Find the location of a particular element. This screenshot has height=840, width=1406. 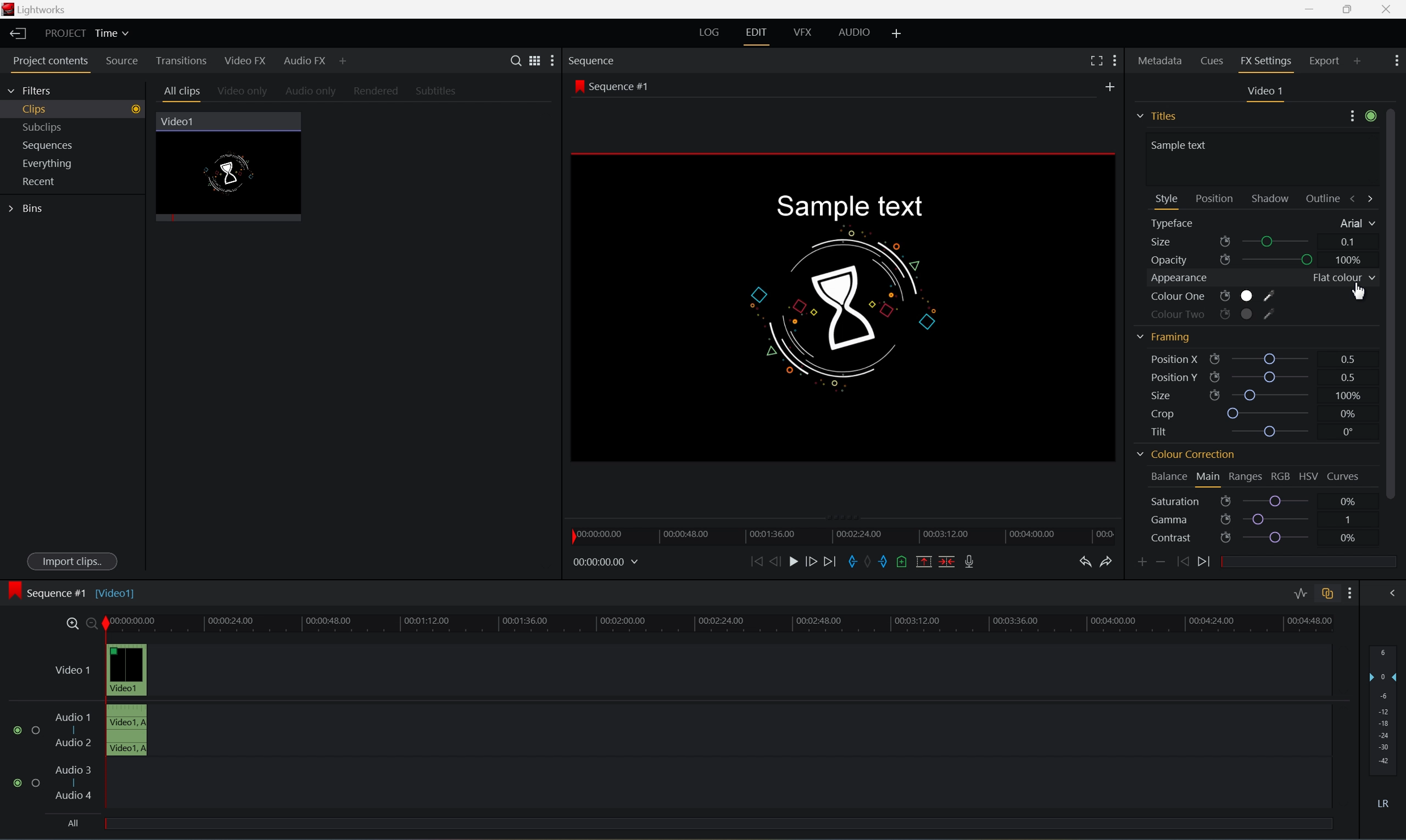

sample text is located at coordinates (1182, 144).